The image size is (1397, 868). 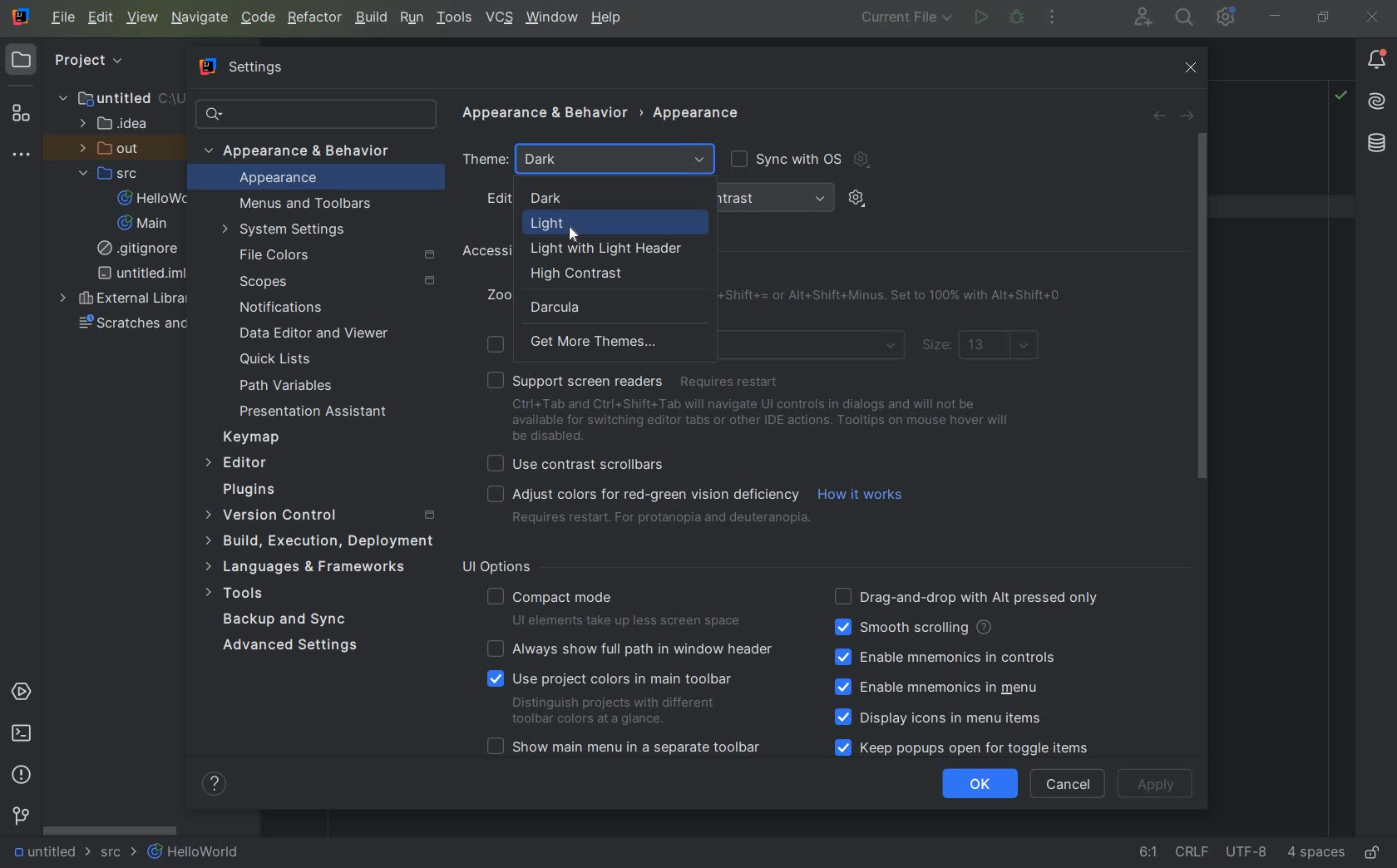 I want to click on SRC, so click(x=120, y=854).